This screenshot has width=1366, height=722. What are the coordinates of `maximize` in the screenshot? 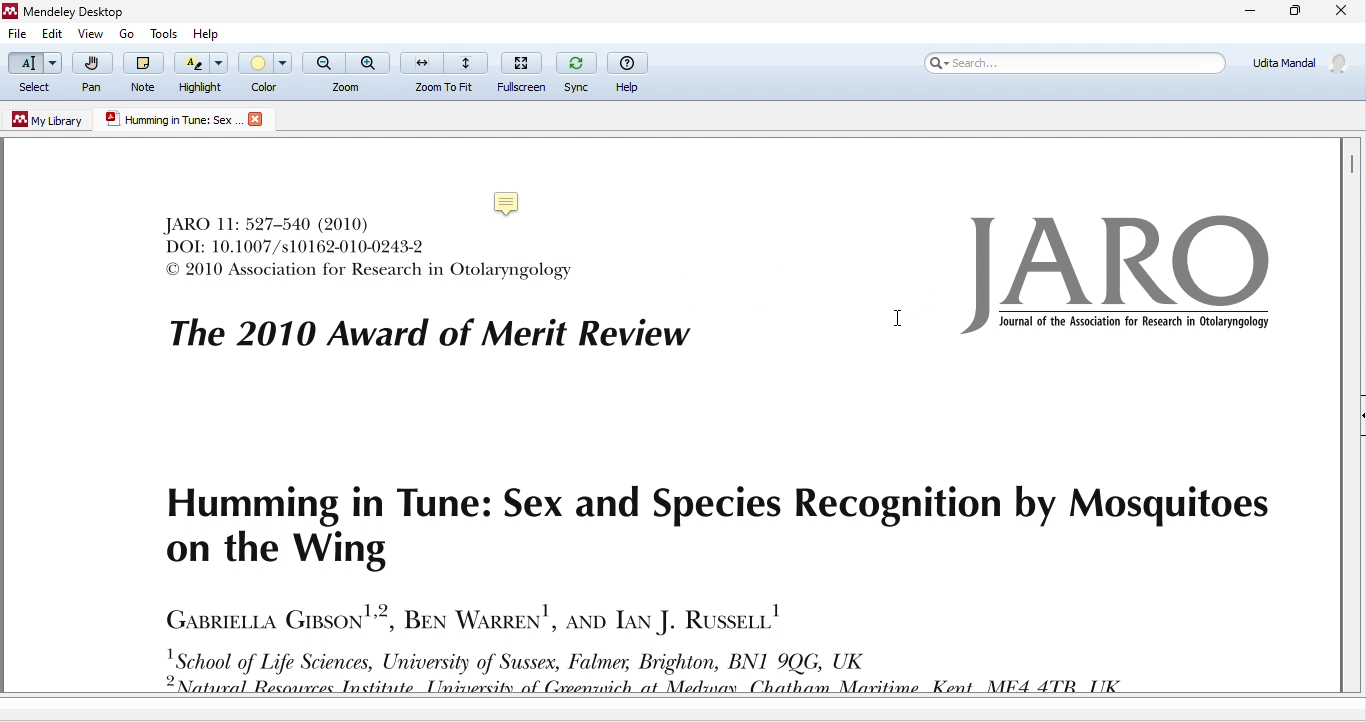 It's located at (1294, 12).